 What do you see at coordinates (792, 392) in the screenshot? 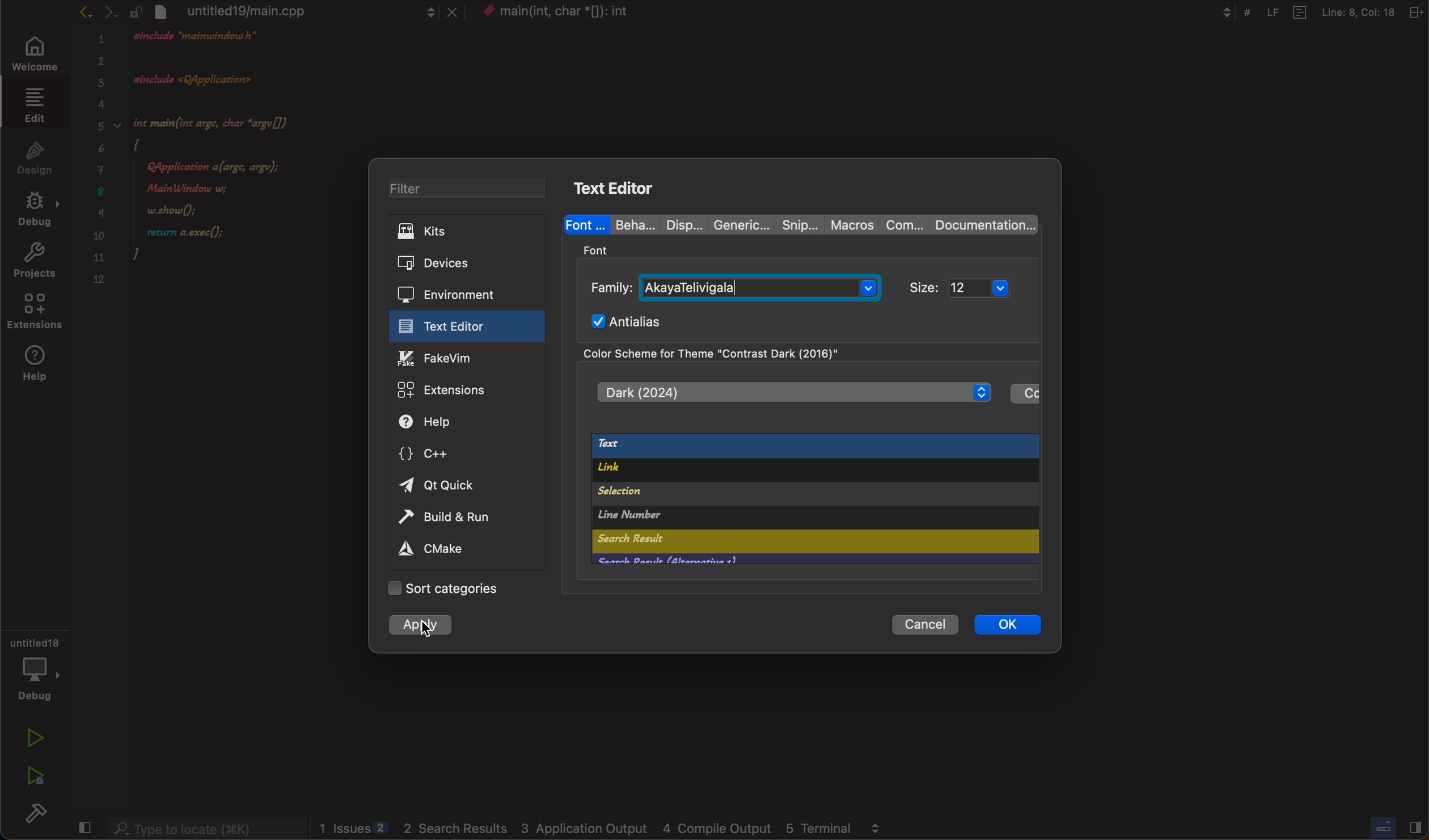
I see `dark 2024` at bounding box center [792, 392].